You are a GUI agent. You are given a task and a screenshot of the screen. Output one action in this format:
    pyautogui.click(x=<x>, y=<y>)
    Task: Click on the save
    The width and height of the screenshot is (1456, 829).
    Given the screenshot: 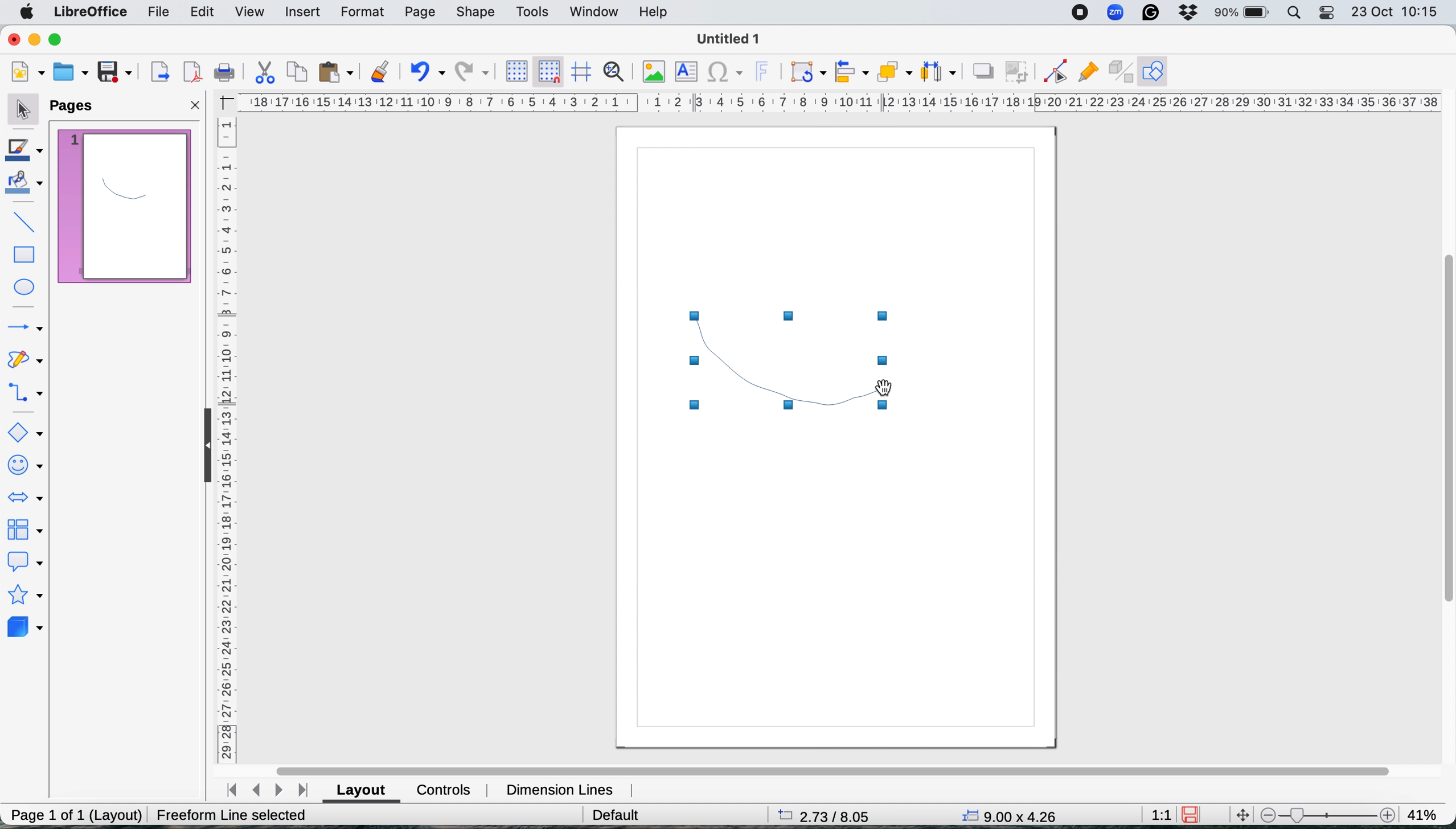 What is the action you would take?
    pyautogui.click(x=1189, y=816)
    